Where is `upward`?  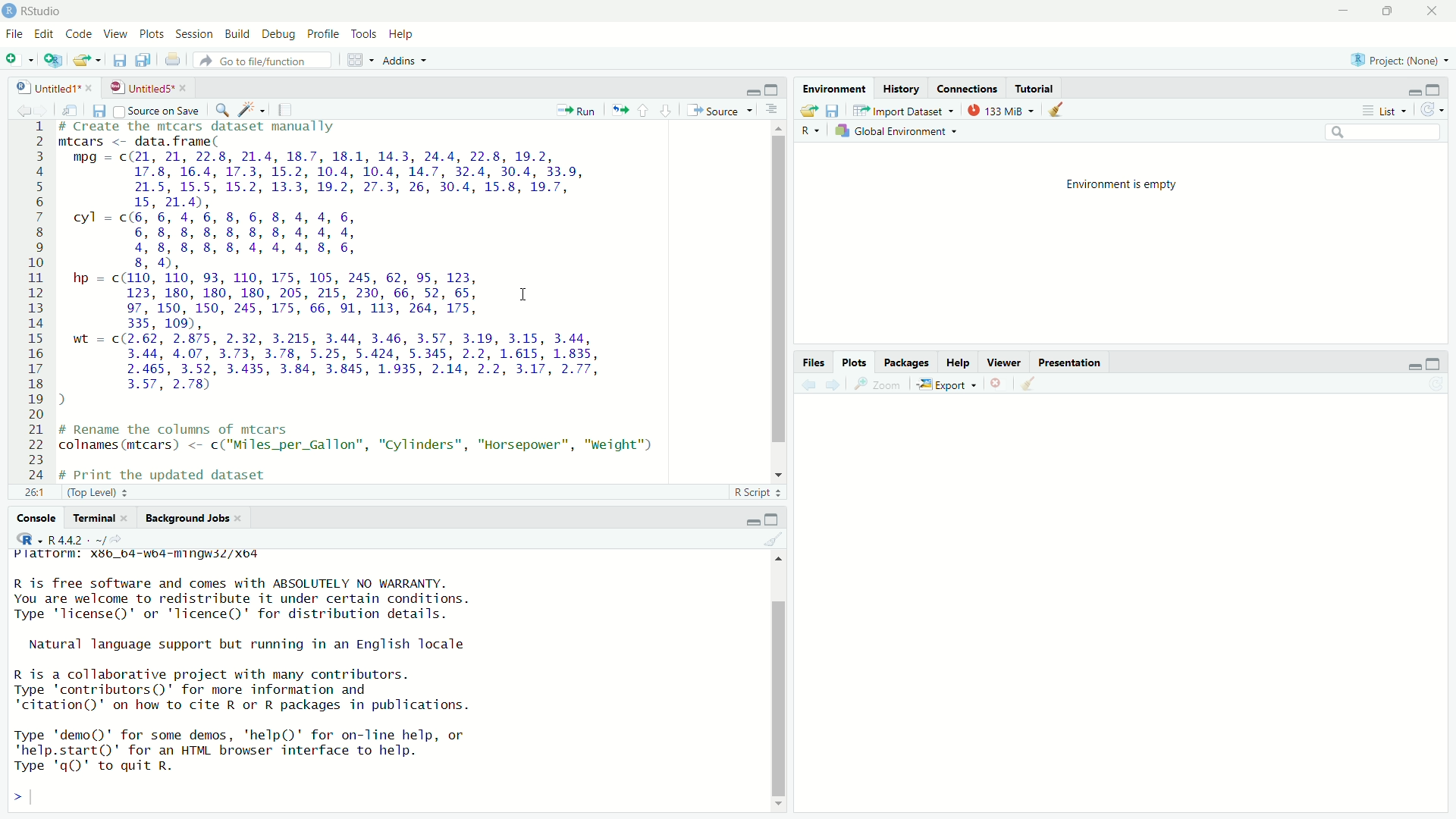 upward is located at coordinates (645, 108).